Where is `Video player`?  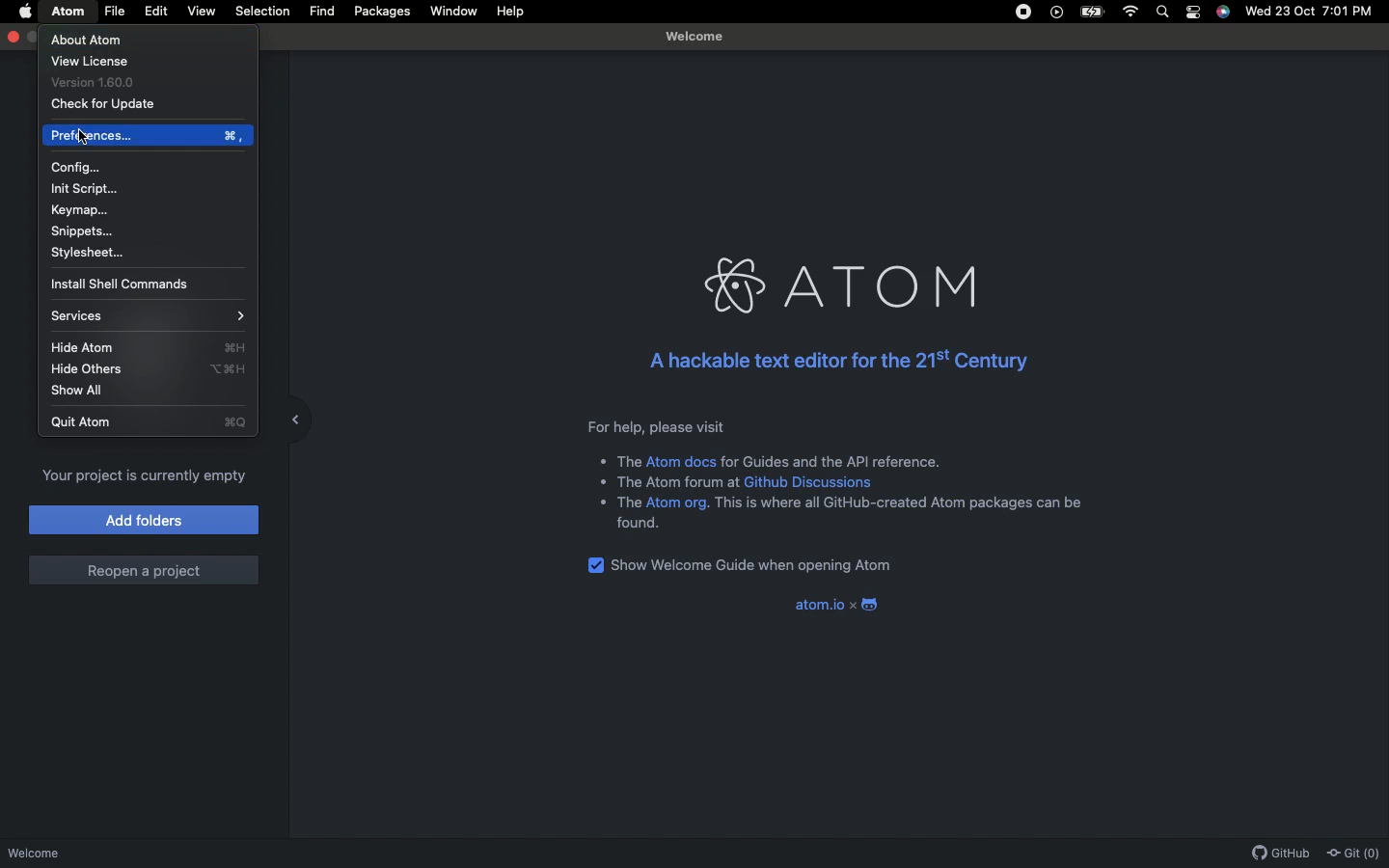 Video player is located at coordinates (1055, 13).